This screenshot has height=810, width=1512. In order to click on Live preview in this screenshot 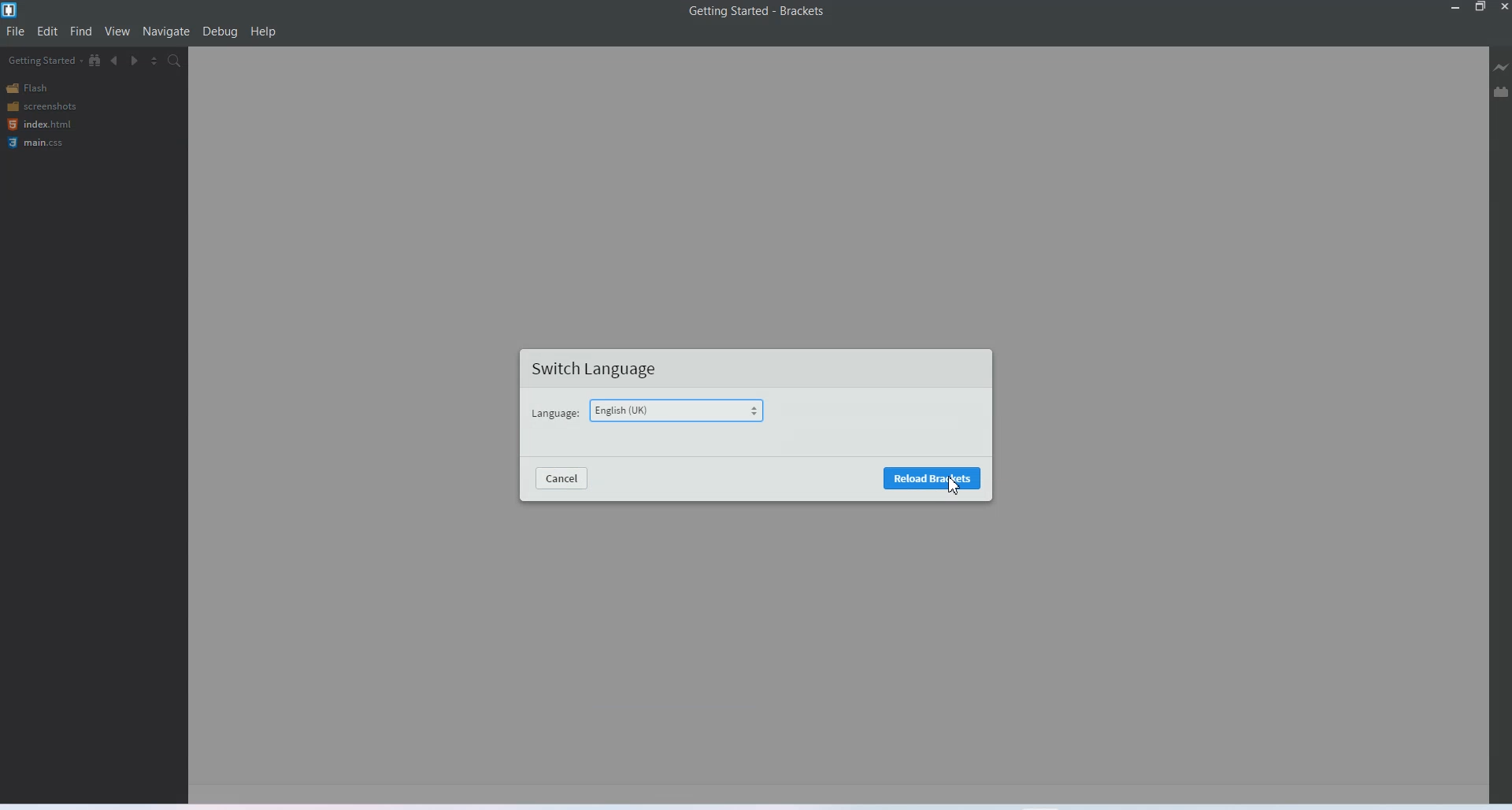, I will do `click(1502, 67)`.